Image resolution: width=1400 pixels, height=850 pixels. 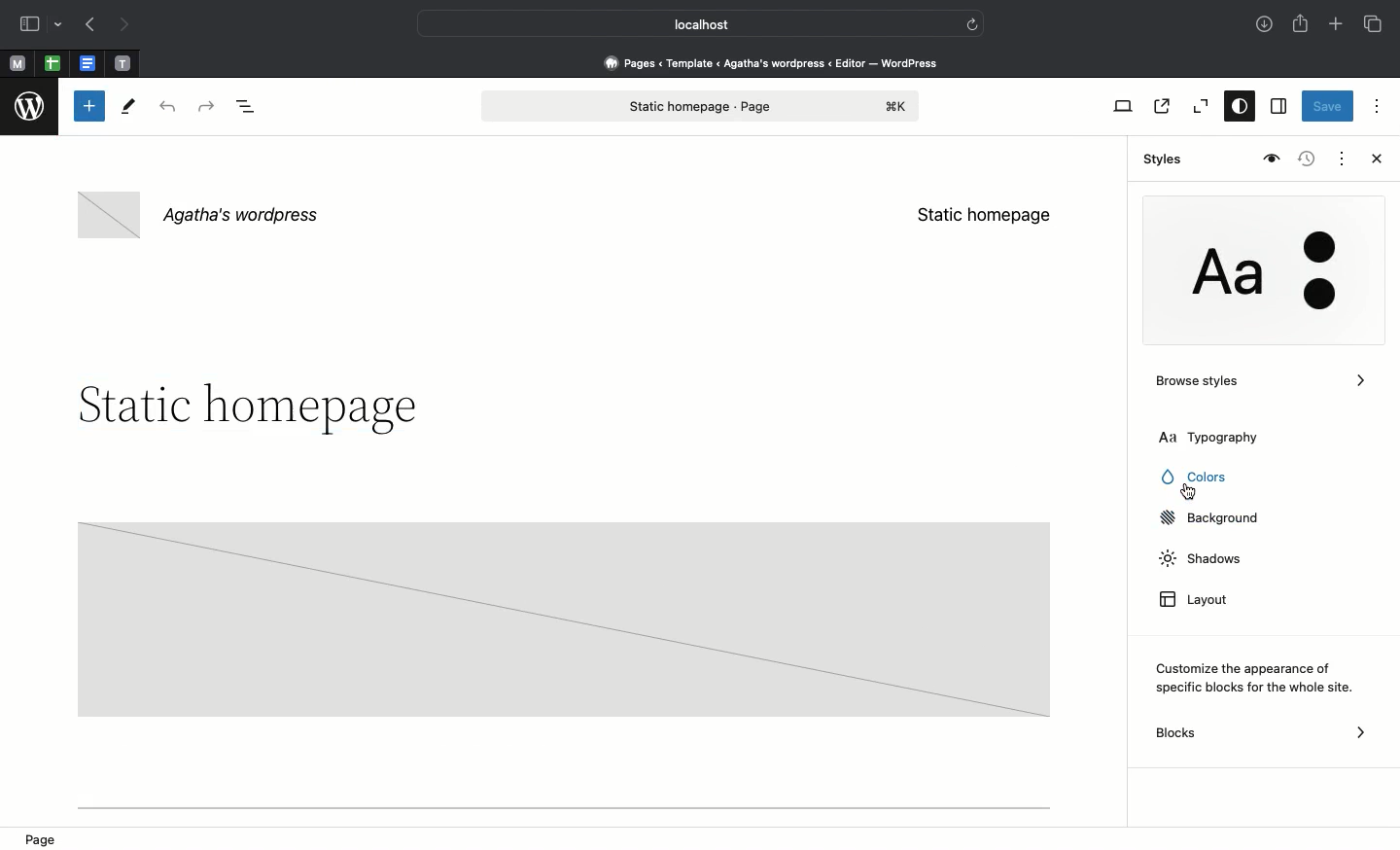 What do you see at coordinates (1204, 479) in the screenshot?
I see `Colors` at bounding box center [1204, 479].